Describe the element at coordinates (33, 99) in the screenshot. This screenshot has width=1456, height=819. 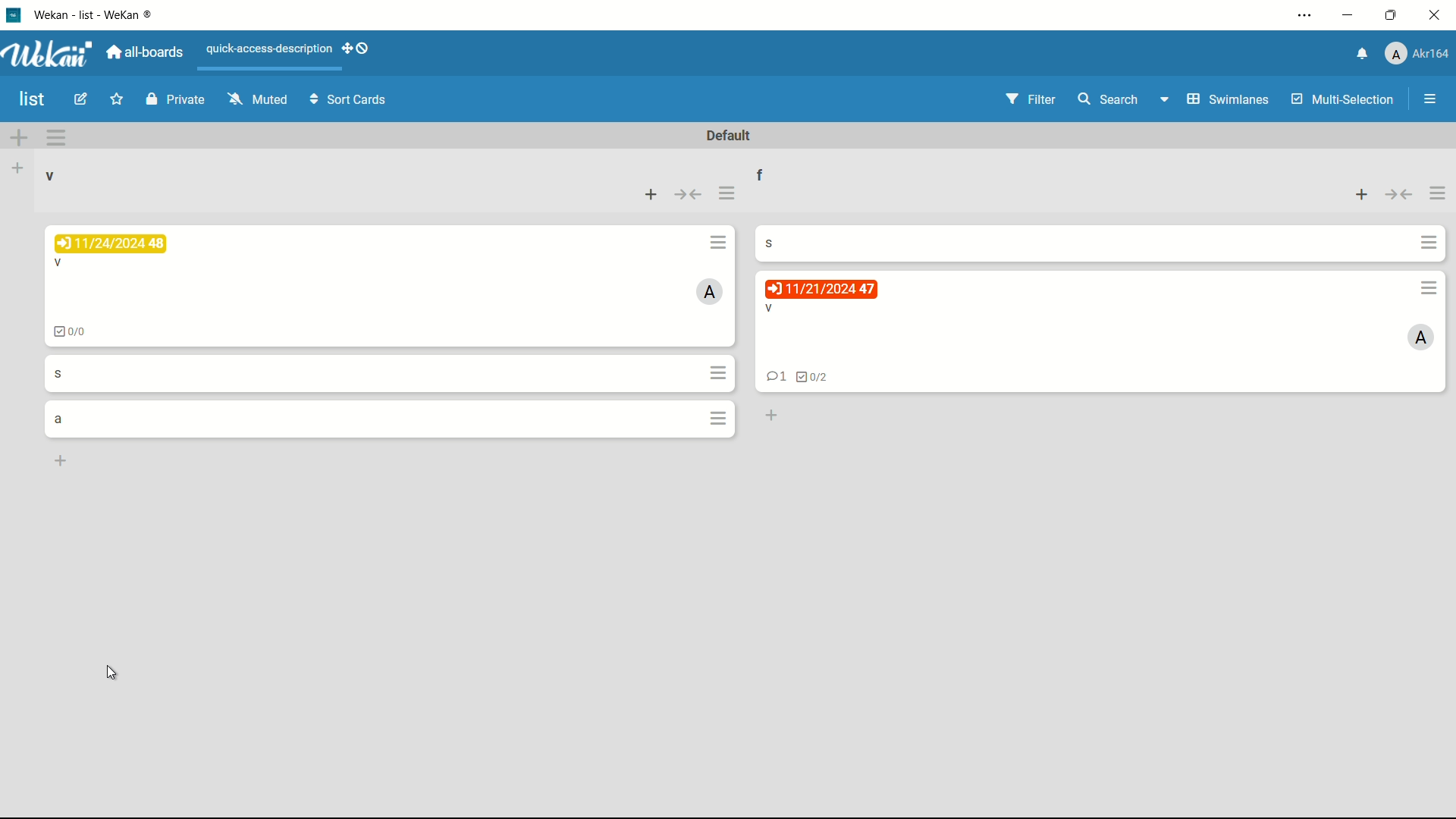
I see `board name` at that location.